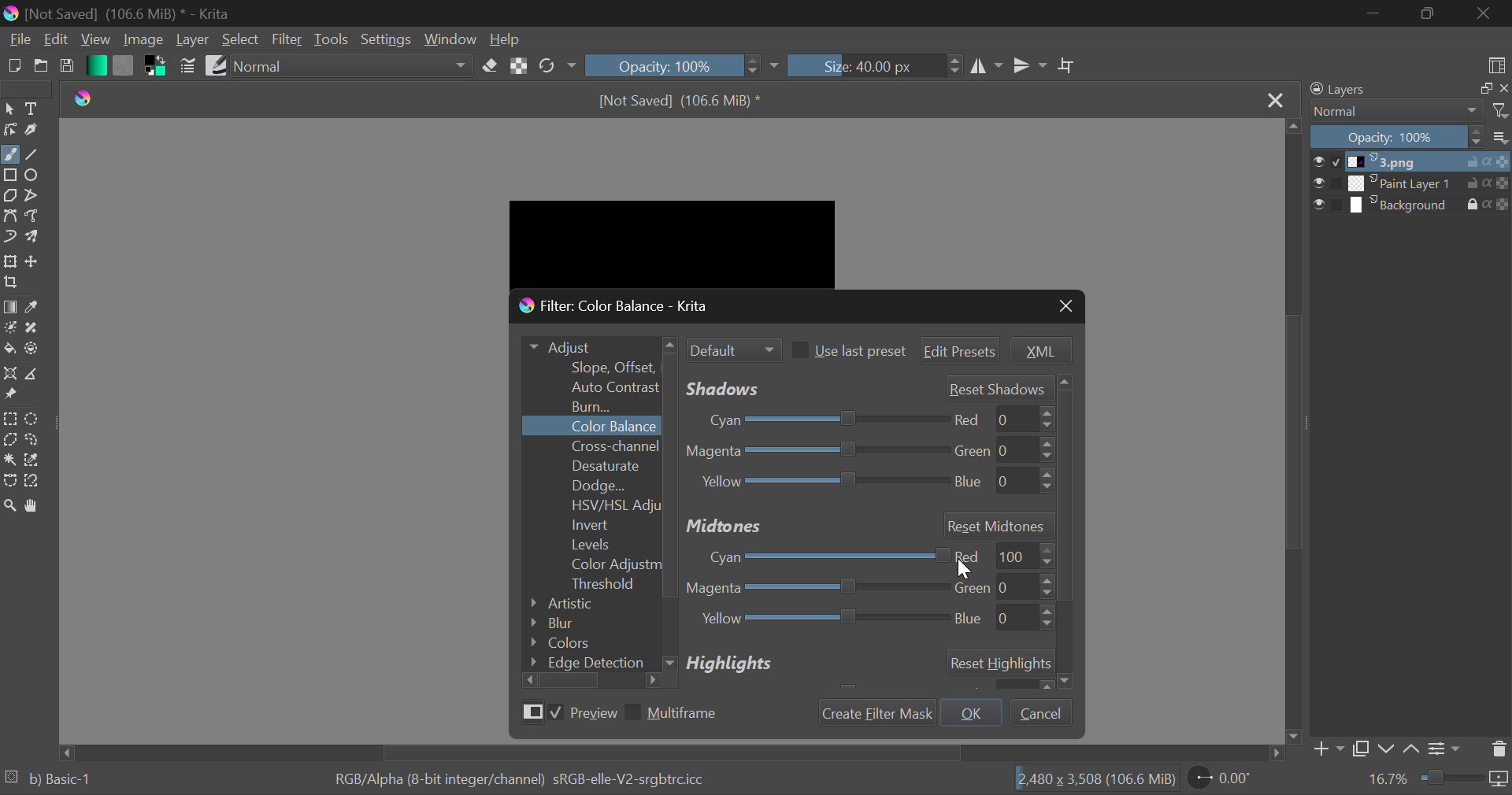  Describe the element at coordinates (999, 419) in the screenshot. I see `red` at that location.